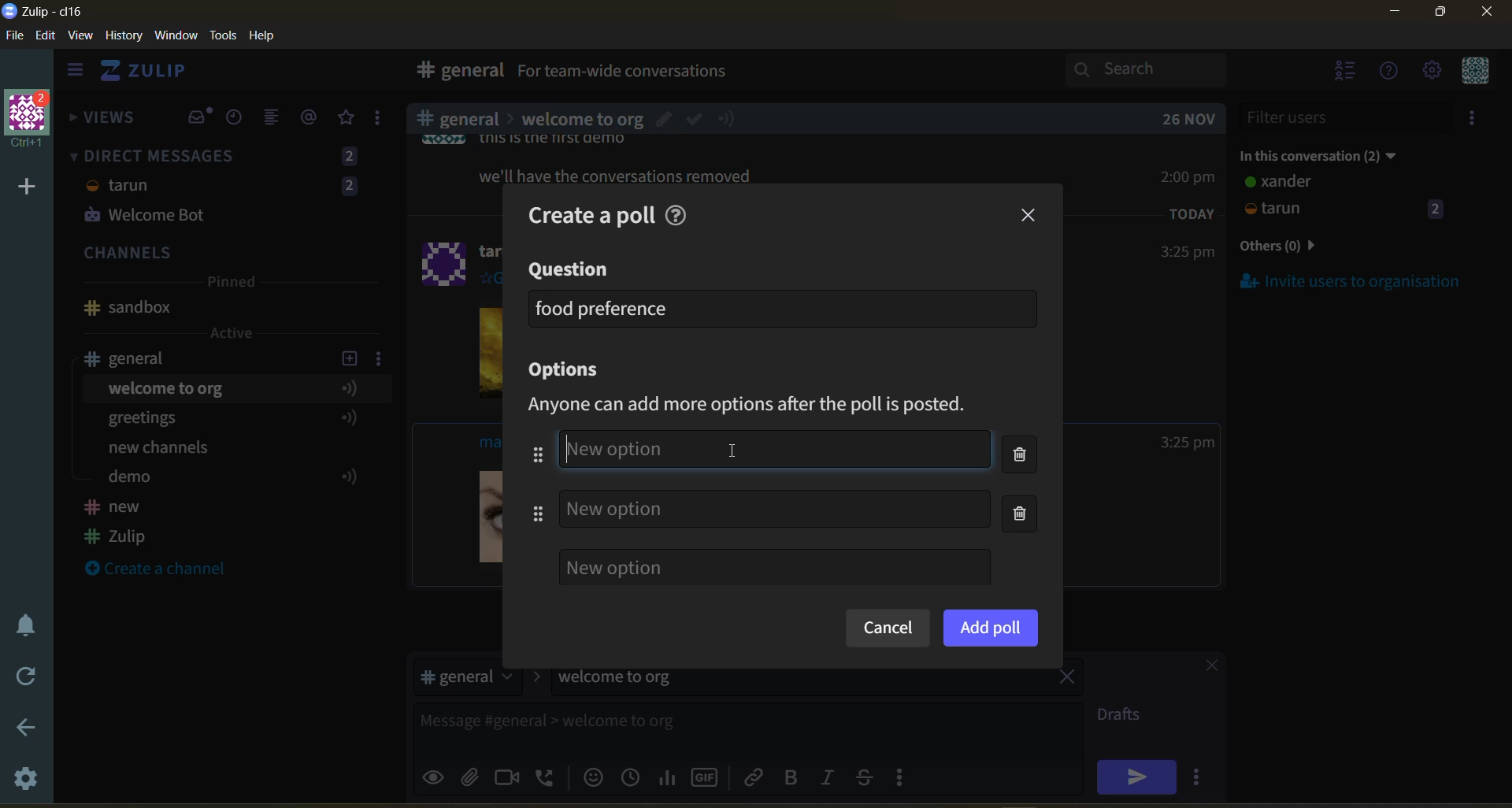  What do you see at coordinates (584, 213) in the screenshot?
I see `create a poll` at bounding box center [584, 213].